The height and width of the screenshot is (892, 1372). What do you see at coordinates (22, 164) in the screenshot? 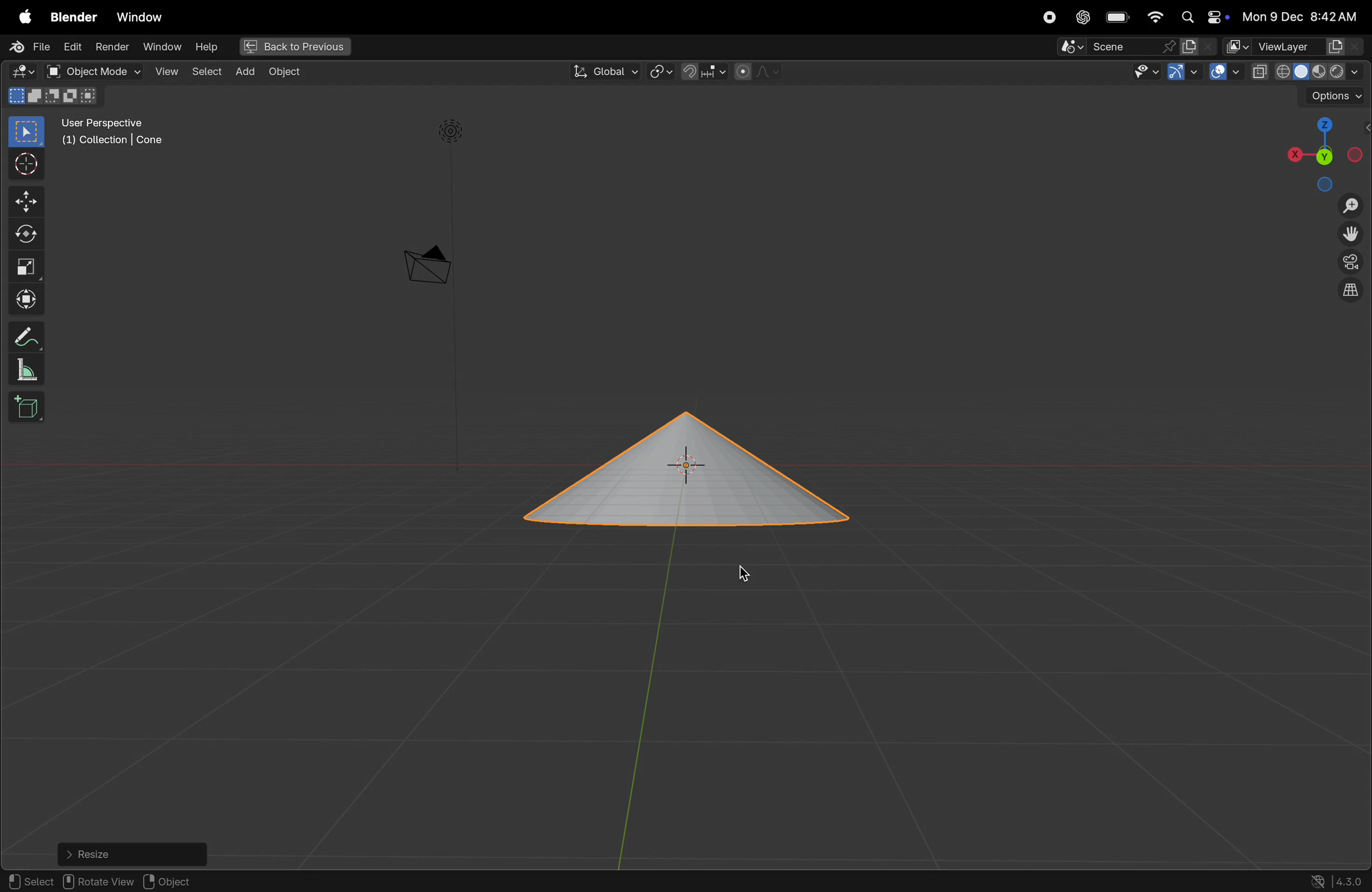
I see `cursor` at bounding box center [22, 164].